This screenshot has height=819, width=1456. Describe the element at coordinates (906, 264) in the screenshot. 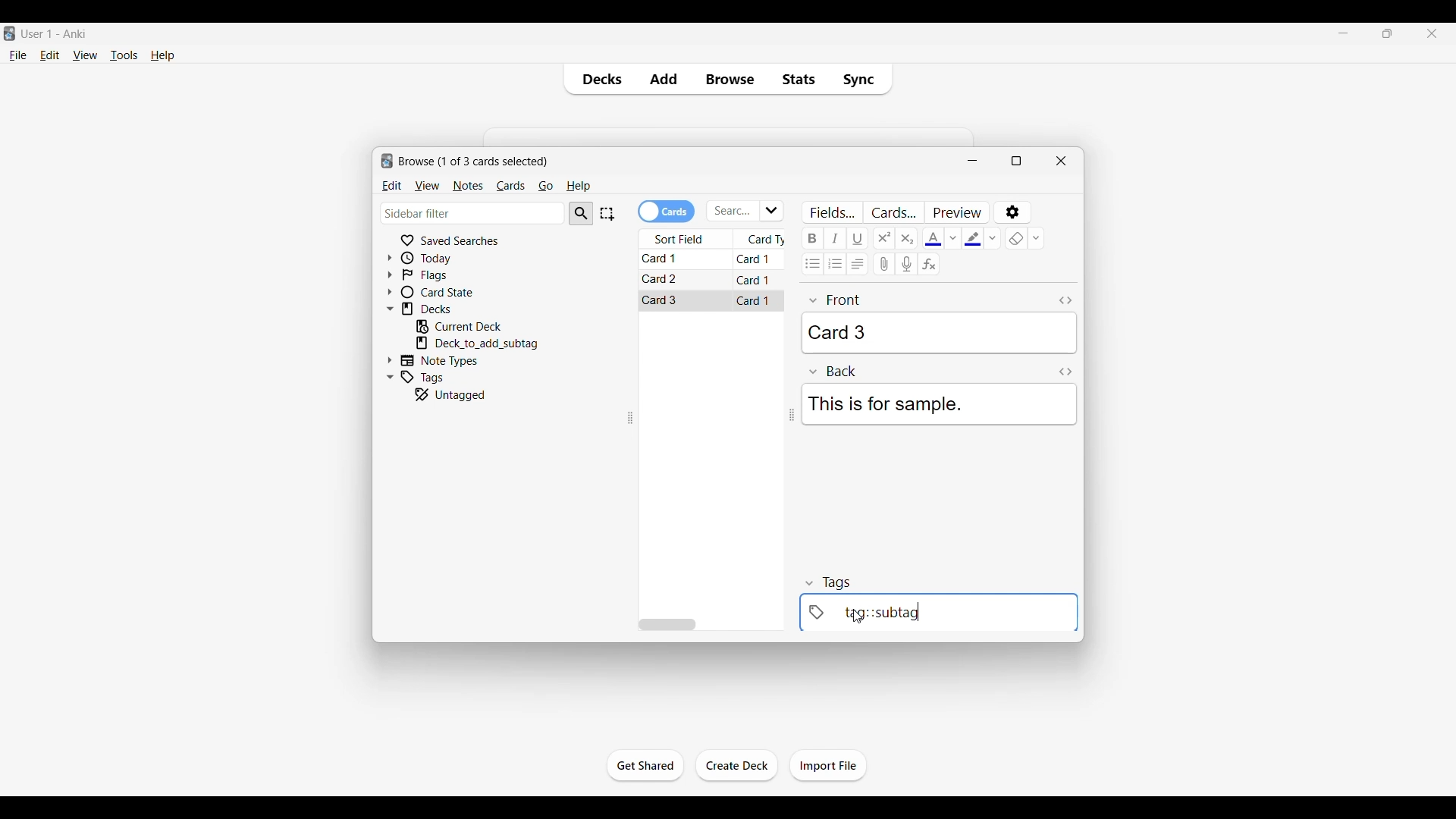

I see `Record audio` at that location.